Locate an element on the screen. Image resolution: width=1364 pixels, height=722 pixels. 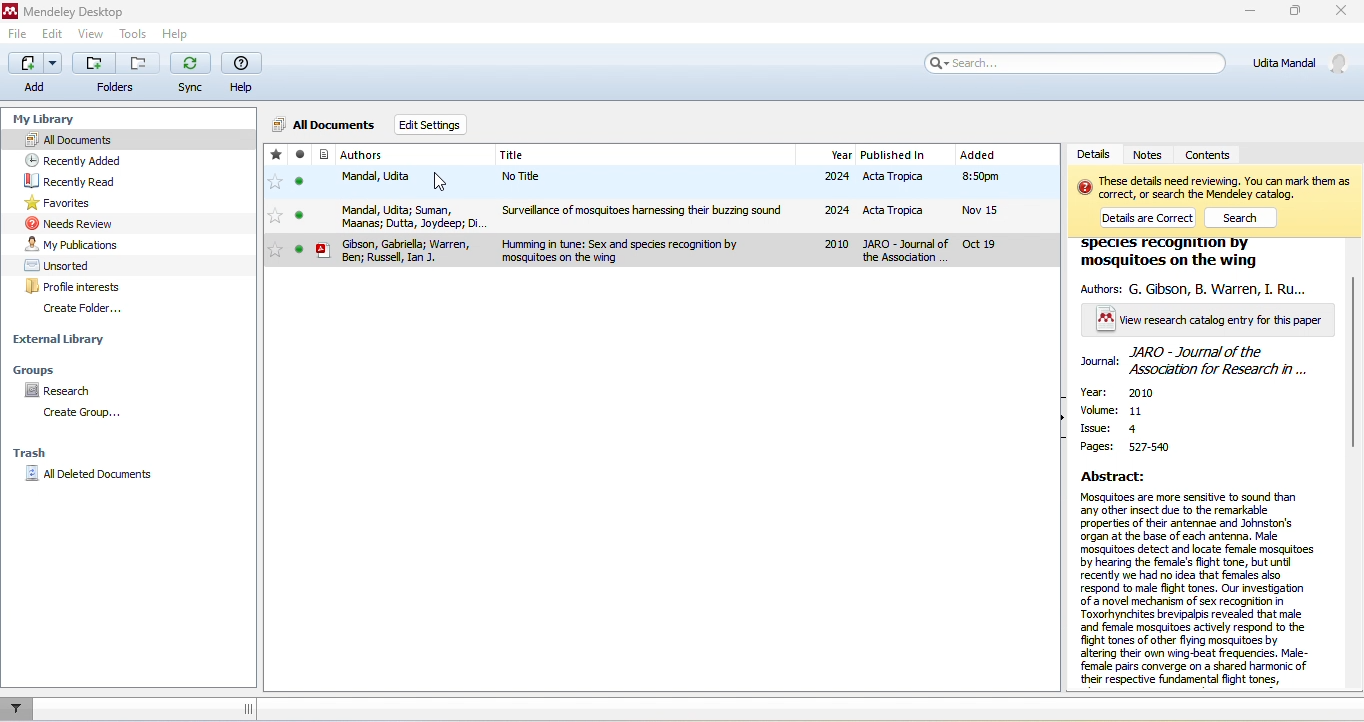
favorites toggle is located at coordinates (275, 183).